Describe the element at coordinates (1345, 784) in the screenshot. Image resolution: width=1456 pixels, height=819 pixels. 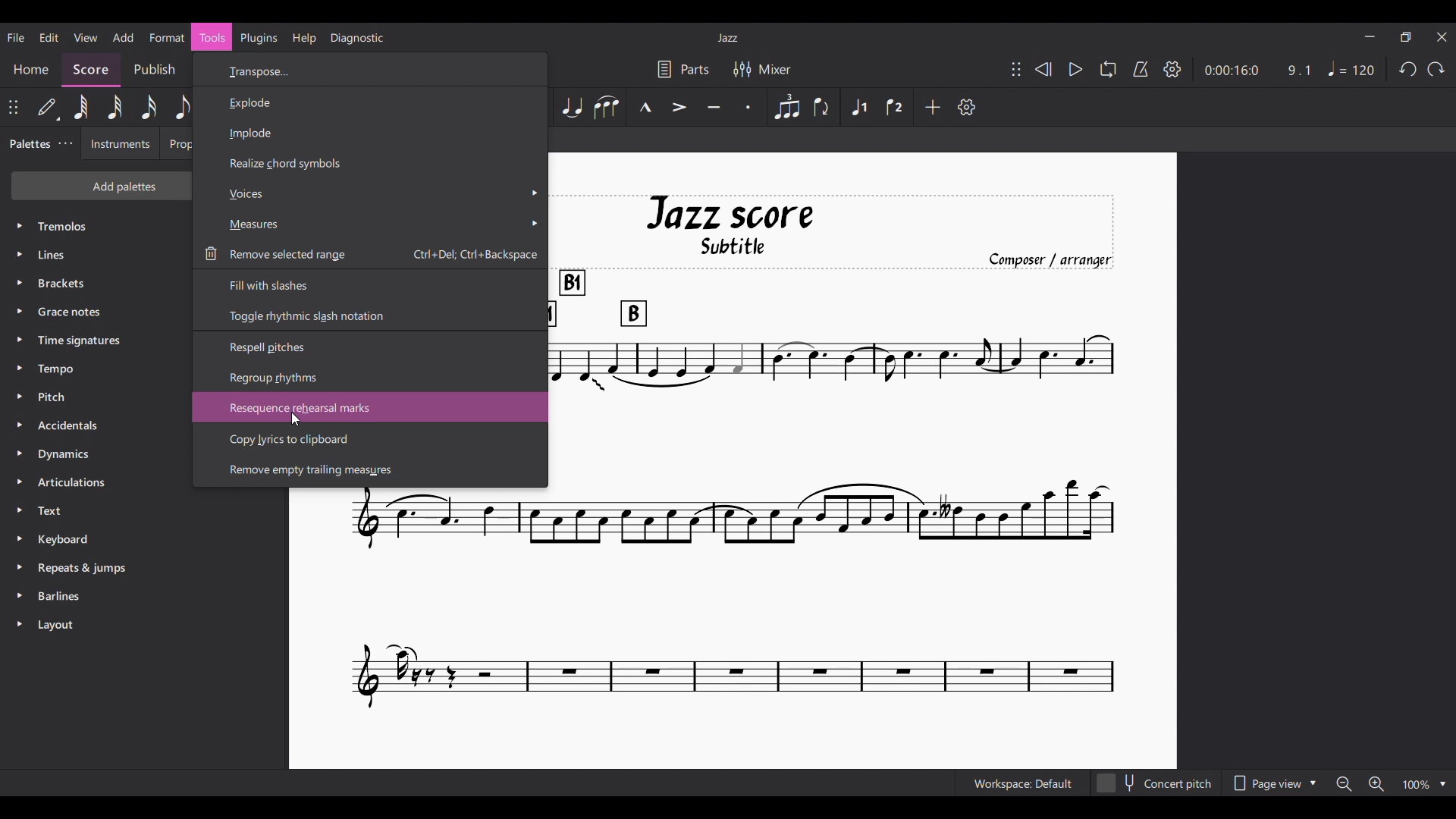
I see `Zoom out` at that location.